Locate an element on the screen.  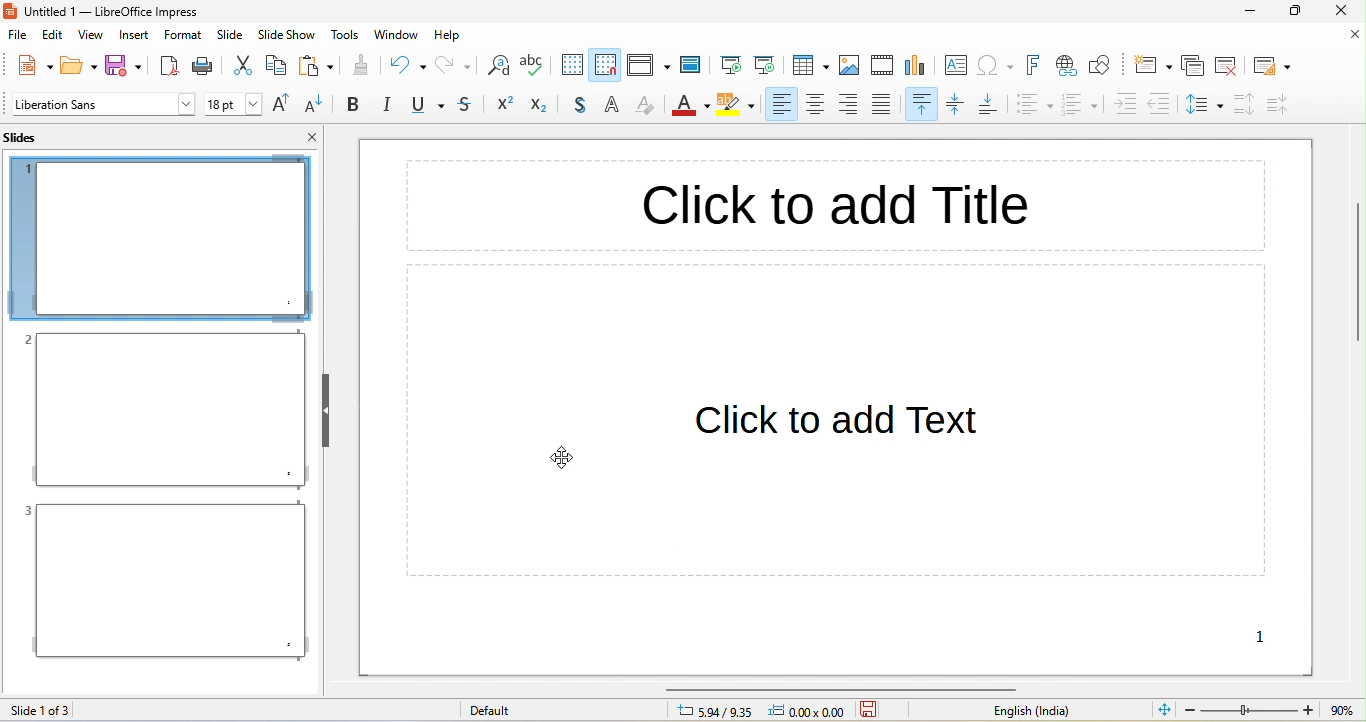
value is located at coordinates (1340, 710).